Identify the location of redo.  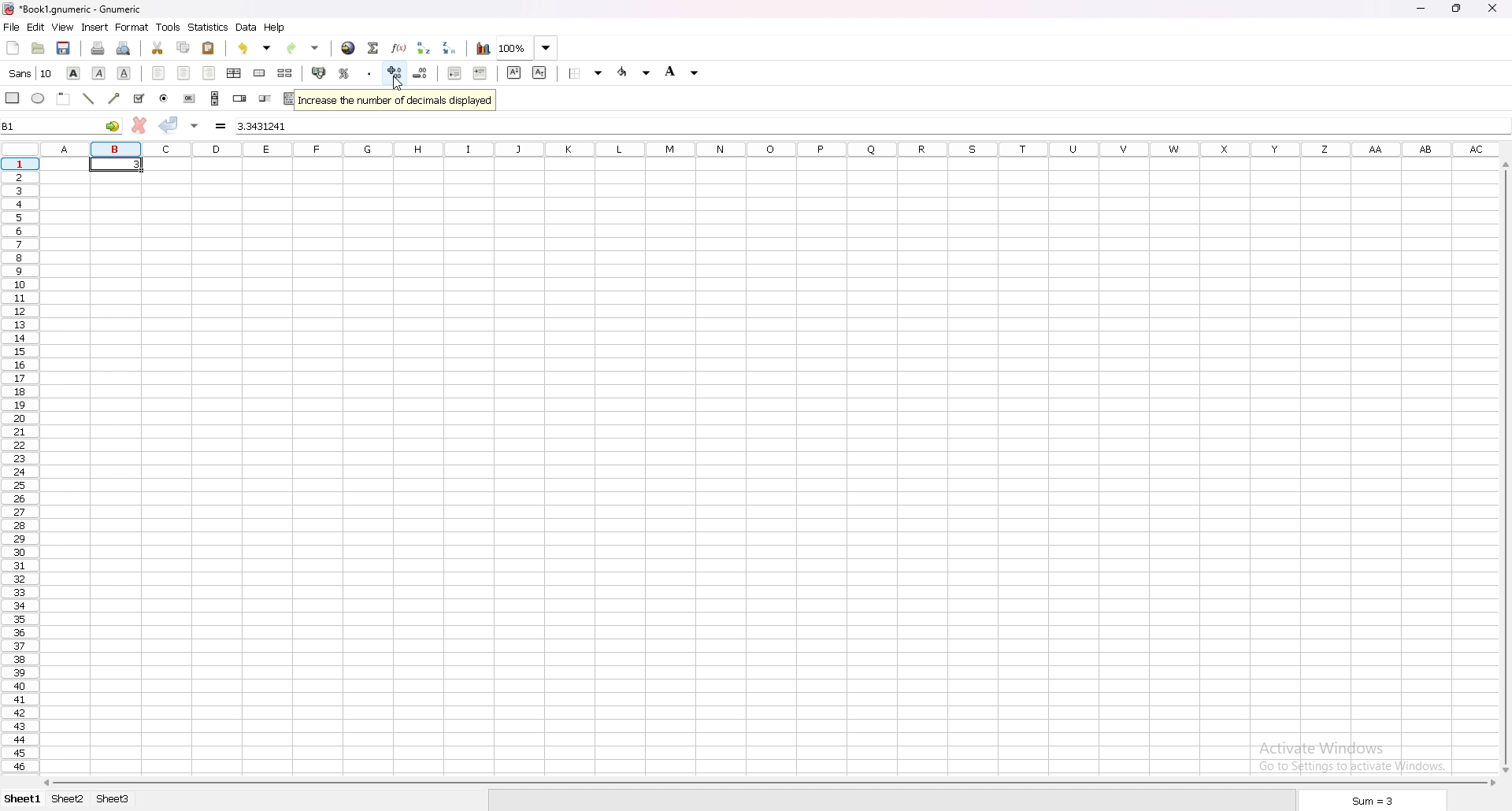
(303, 48).